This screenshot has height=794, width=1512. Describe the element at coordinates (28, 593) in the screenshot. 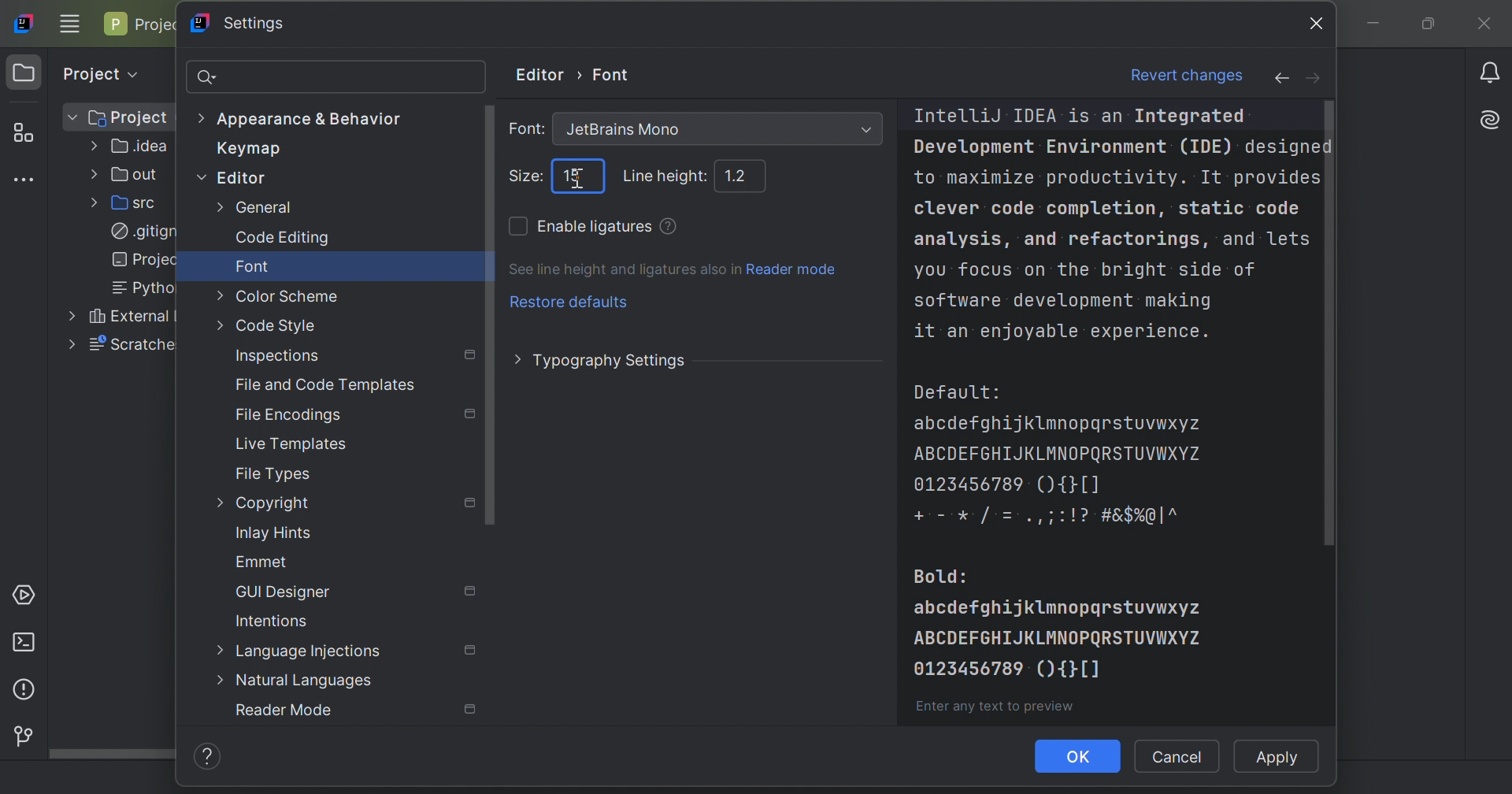

I see `Services` at that location.